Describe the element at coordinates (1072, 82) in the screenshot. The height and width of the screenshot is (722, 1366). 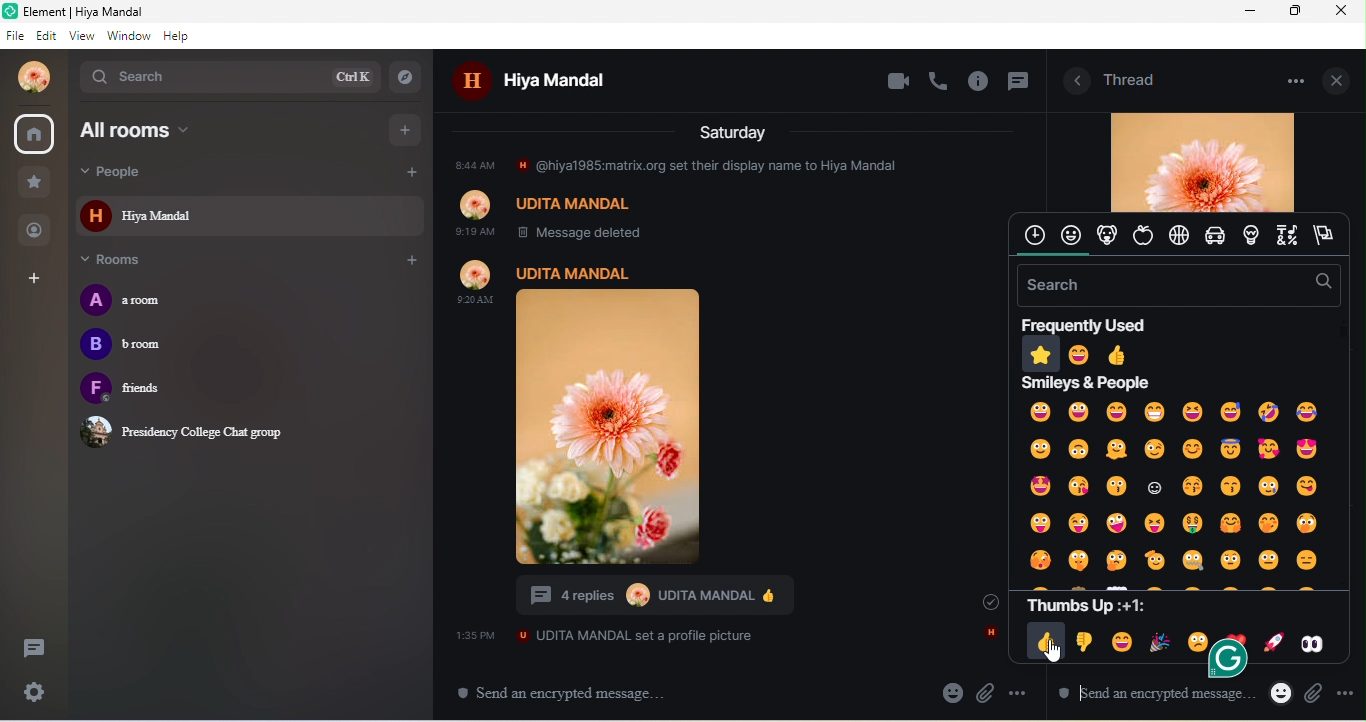
I see `room information` at that location.